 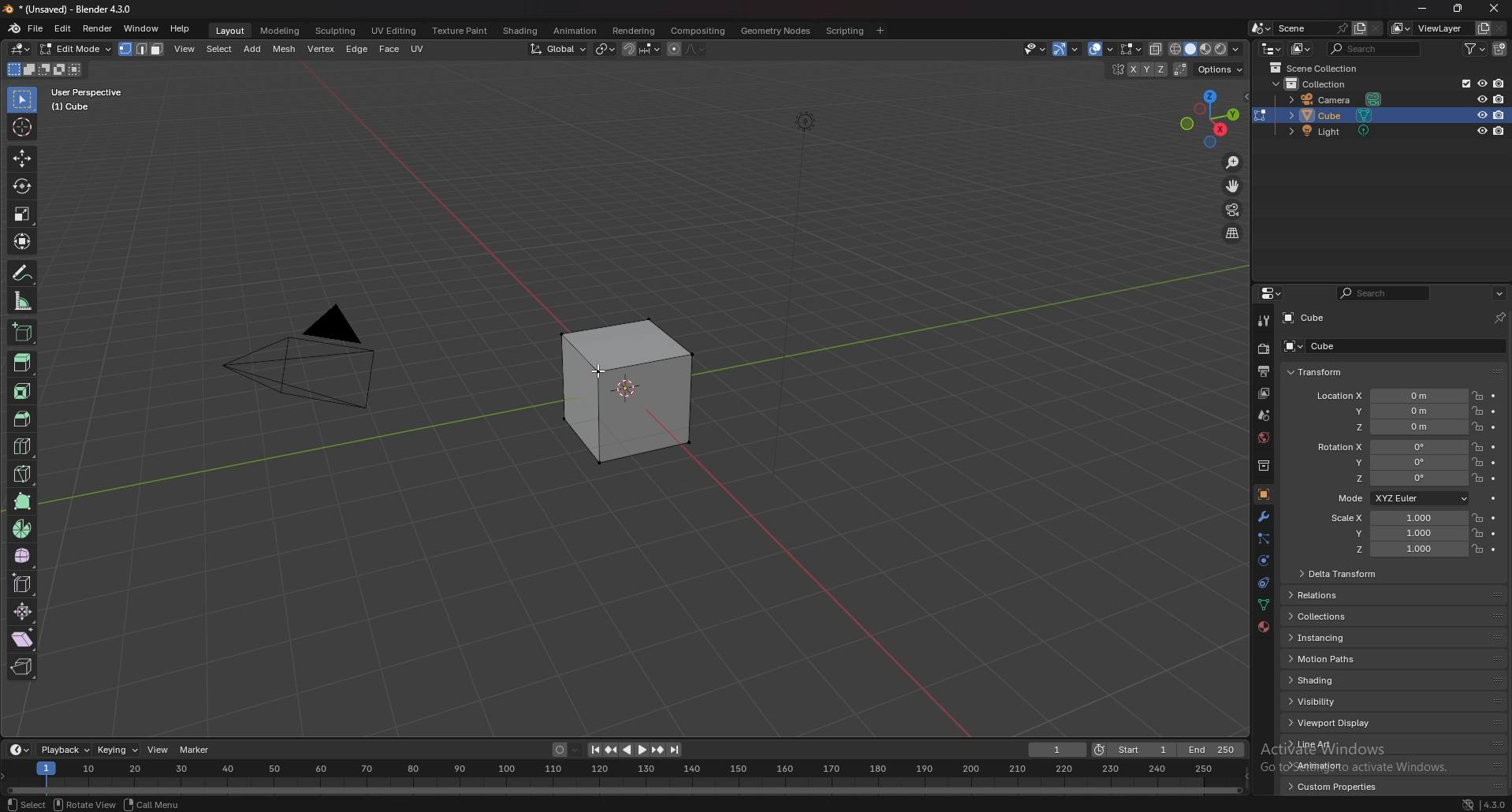 I want to click on scale x, so click(x=1396, y=518).